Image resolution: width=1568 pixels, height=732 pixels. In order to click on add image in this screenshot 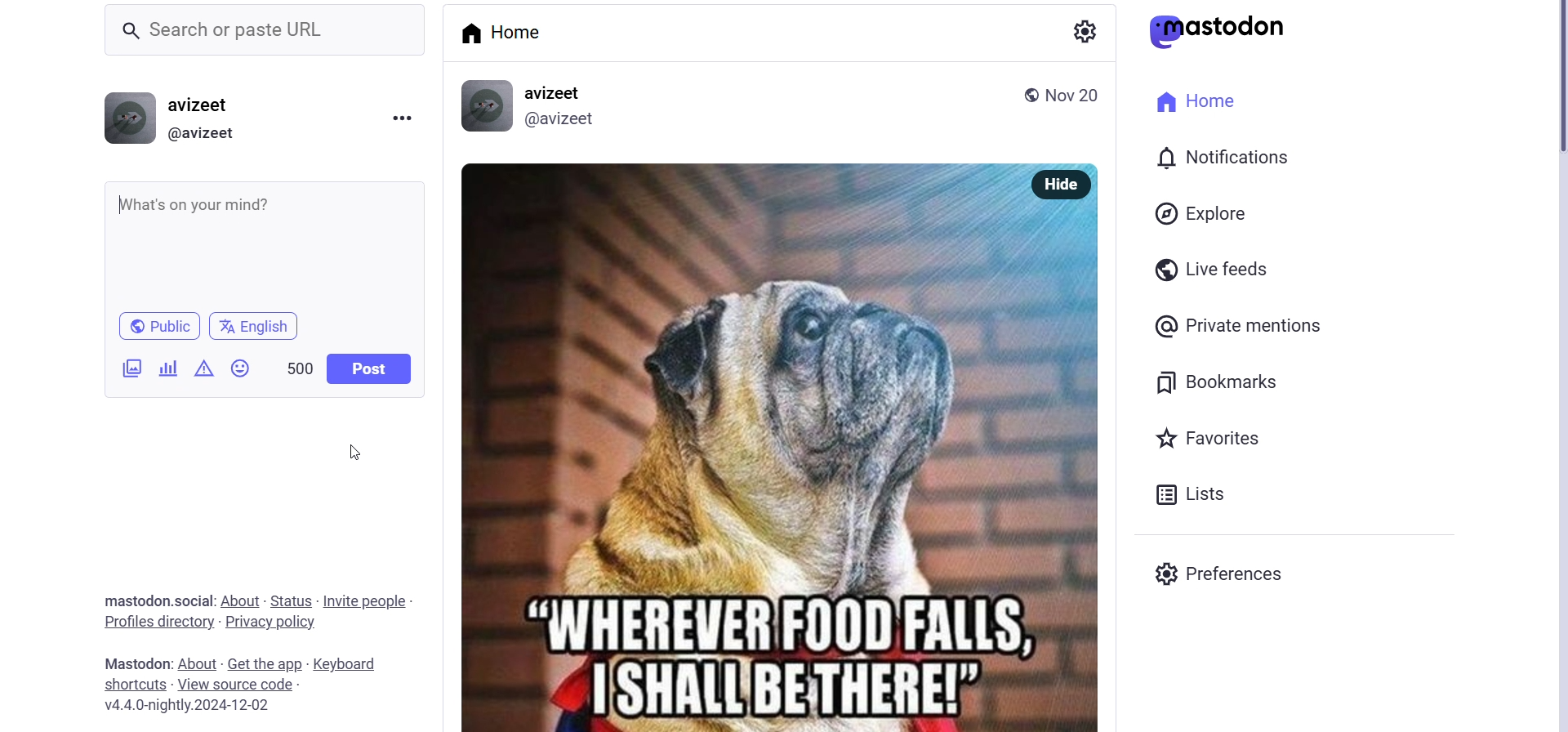, I will do `click(126, 368)`.